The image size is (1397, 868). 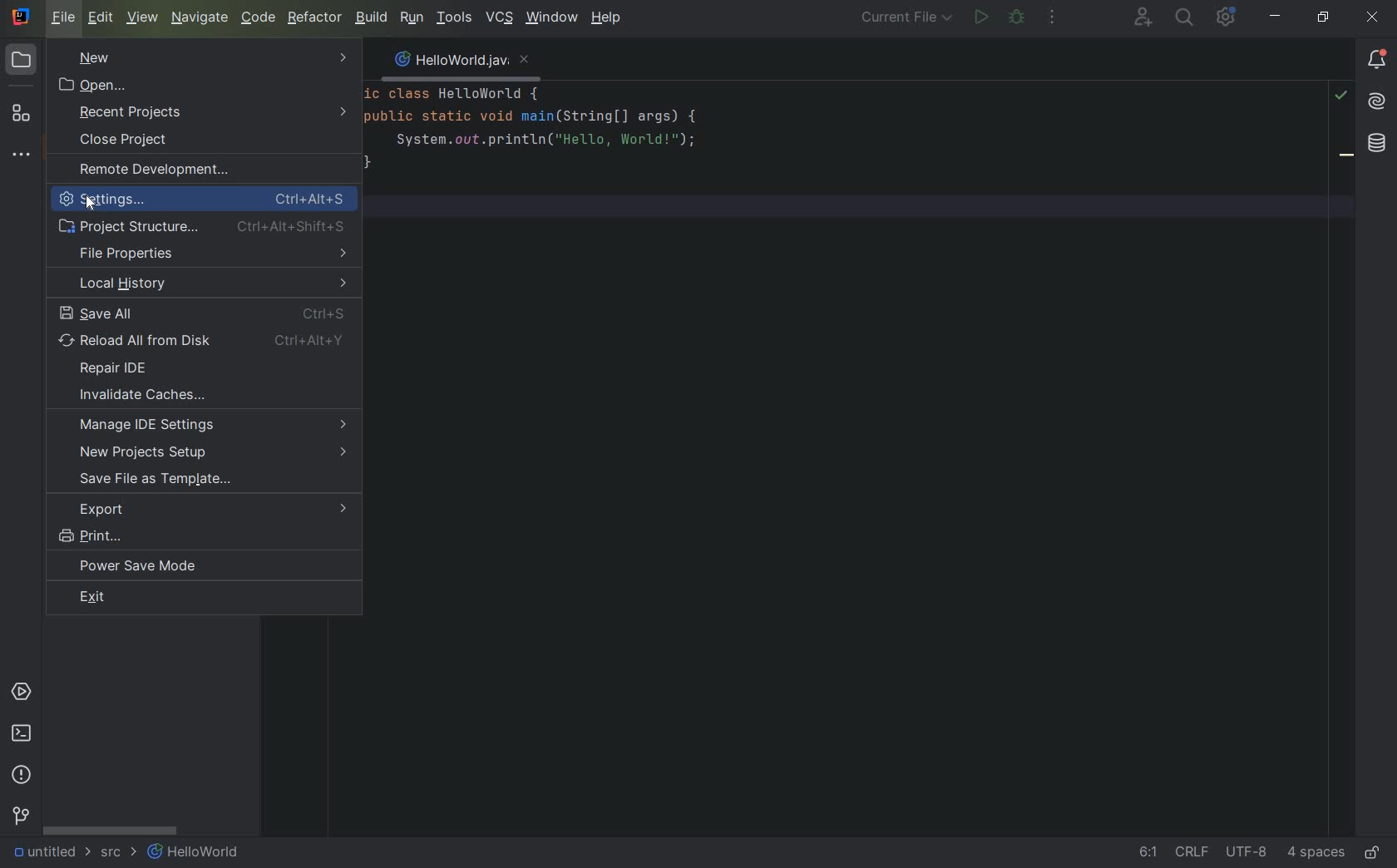 I want to click on Indent, so click(x=1316, y=854).